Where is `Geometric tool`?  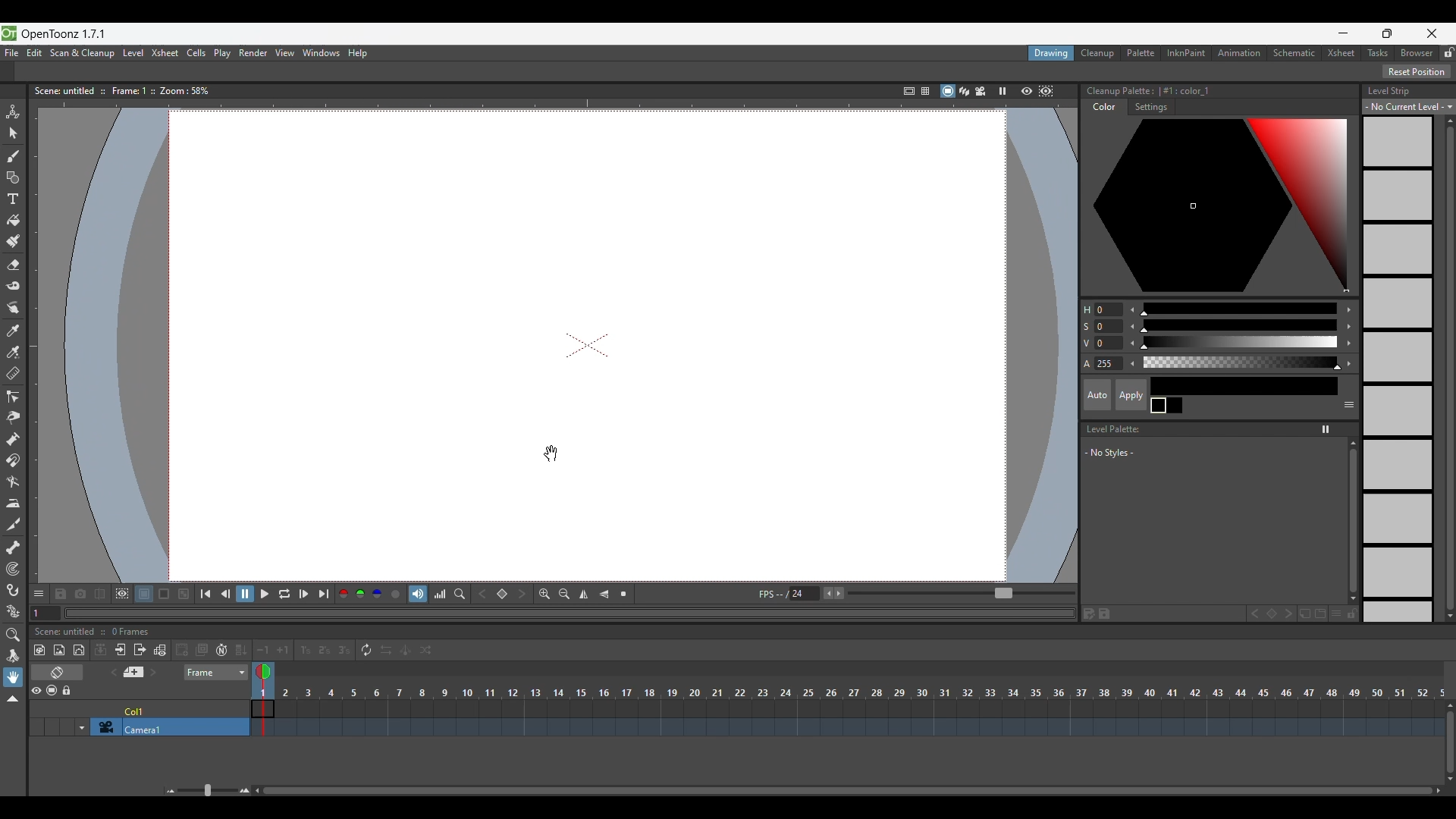
Geometric tool is located at coordinates (12, 177).